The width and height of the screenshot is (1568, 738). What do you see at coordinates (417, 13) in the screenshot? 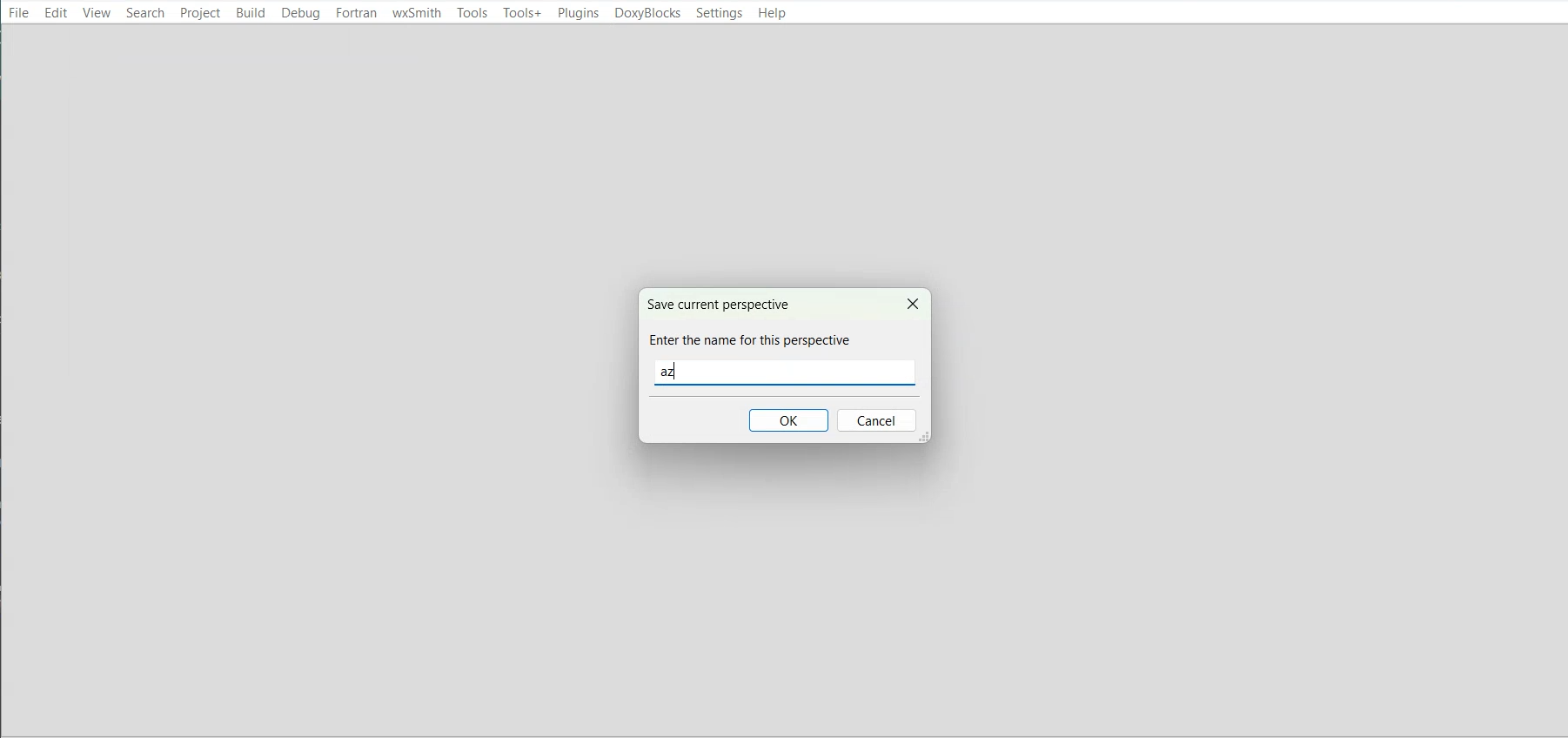
I see `wxSmith` at bounding box center [417, 13].